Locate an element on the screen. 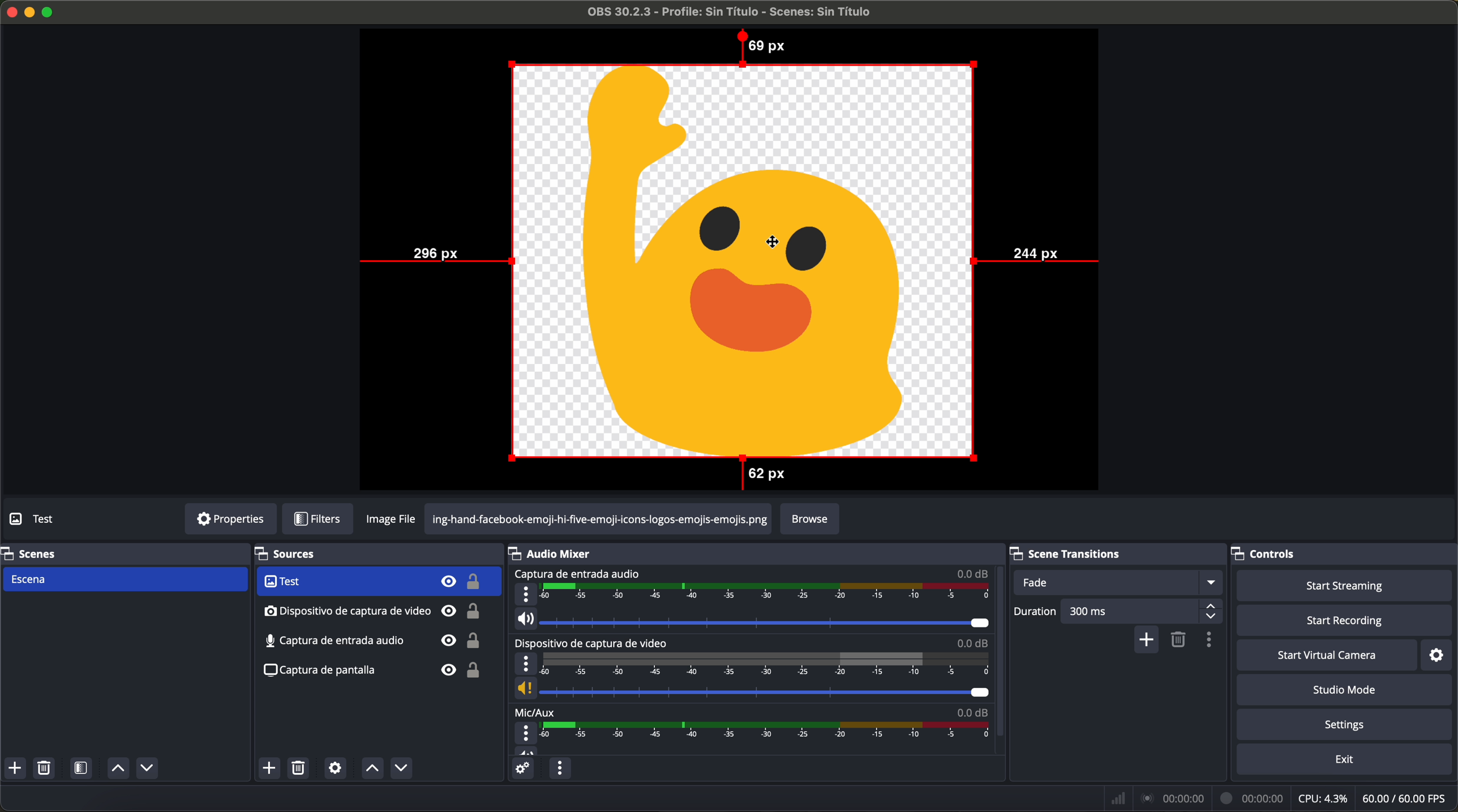  move source up is located at coordinates (372, 768).